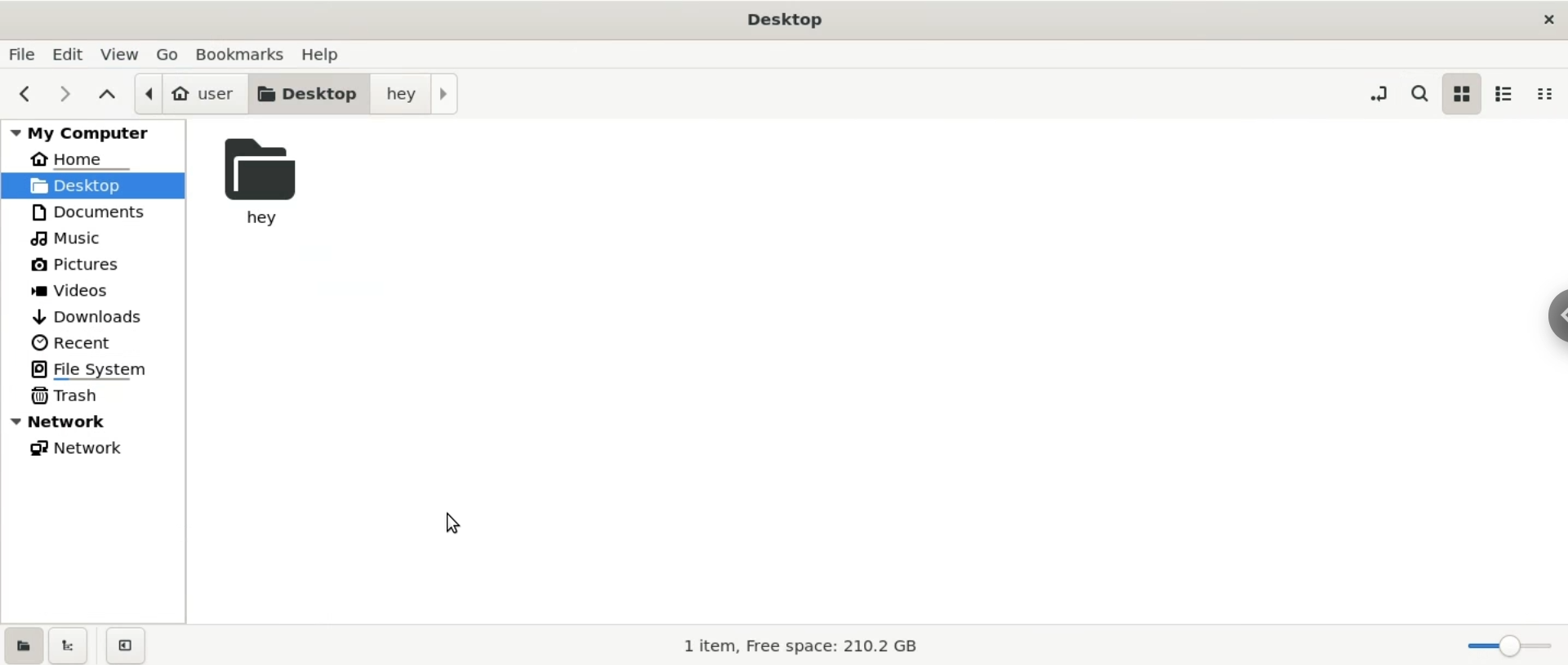 This screenshot has width=1568, height=665. I want to click on show treeview, so click(67, 644).